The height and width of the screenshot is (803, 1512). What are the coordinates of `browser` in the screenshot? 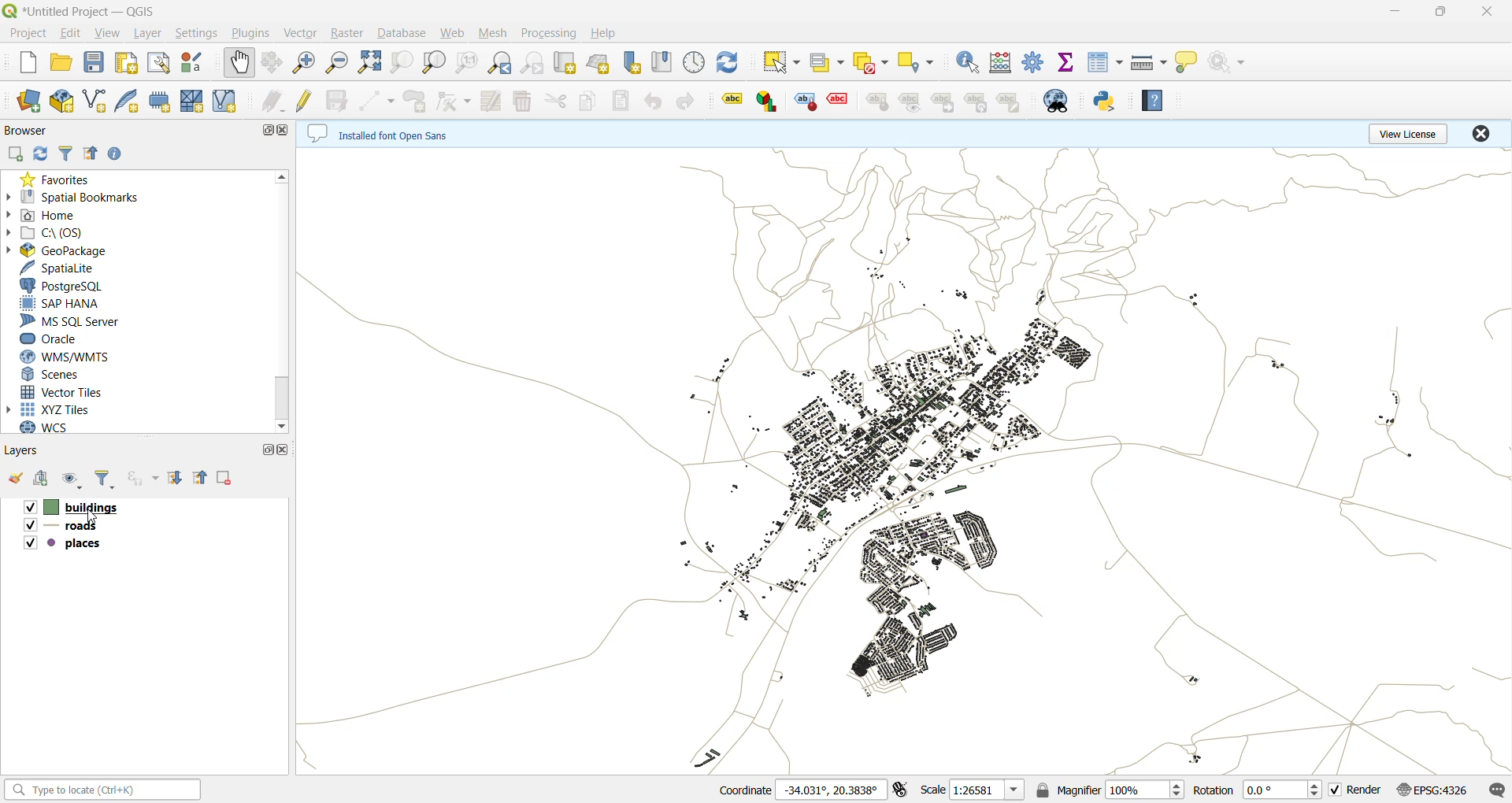 It's located at (28, 130).